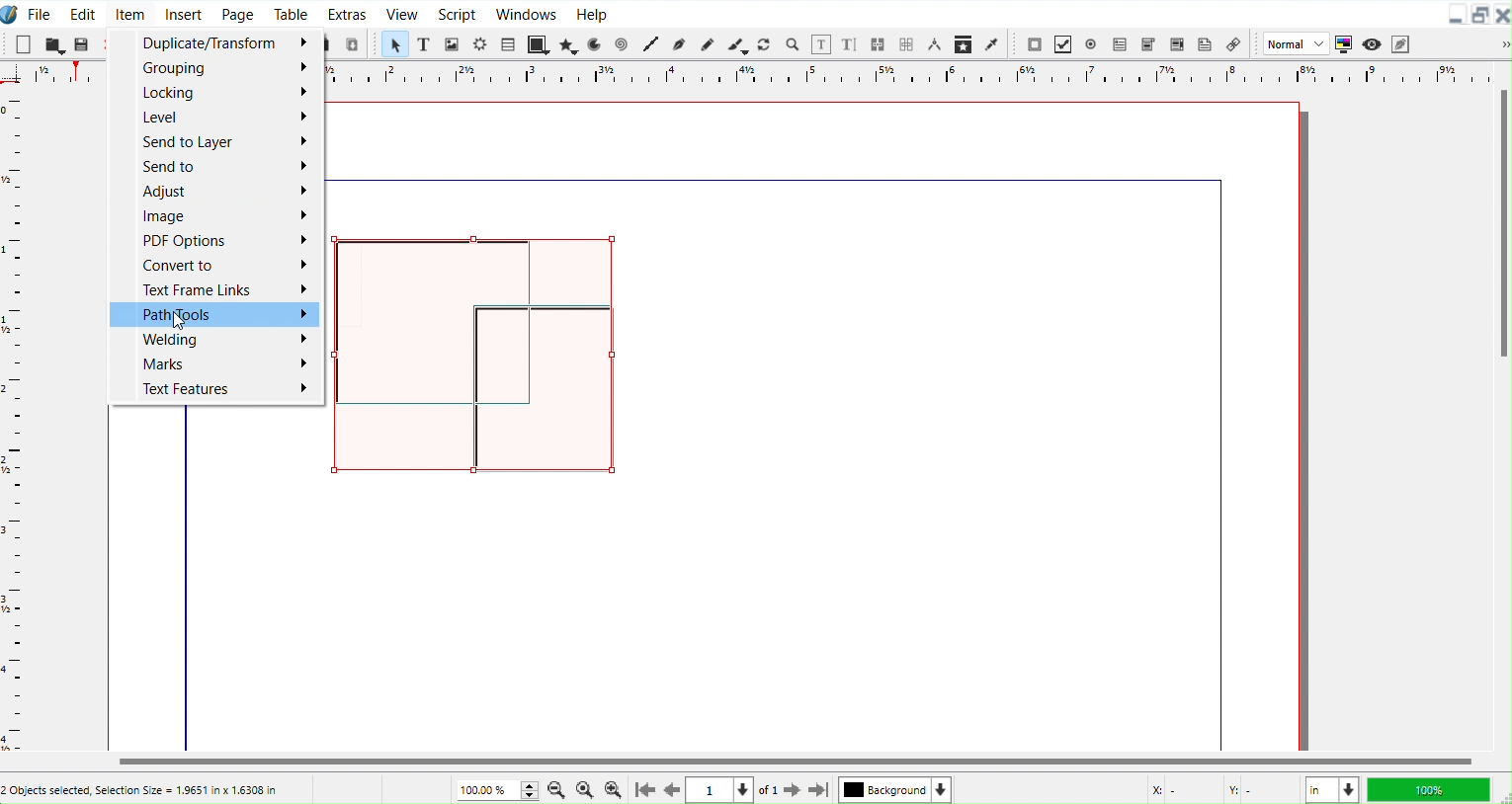 The height and width of the screenshot is (804, 1512). What do you see at coordinates (597, 43) in the screenshot?
I see `Arc` at bounding box center [597, 43].